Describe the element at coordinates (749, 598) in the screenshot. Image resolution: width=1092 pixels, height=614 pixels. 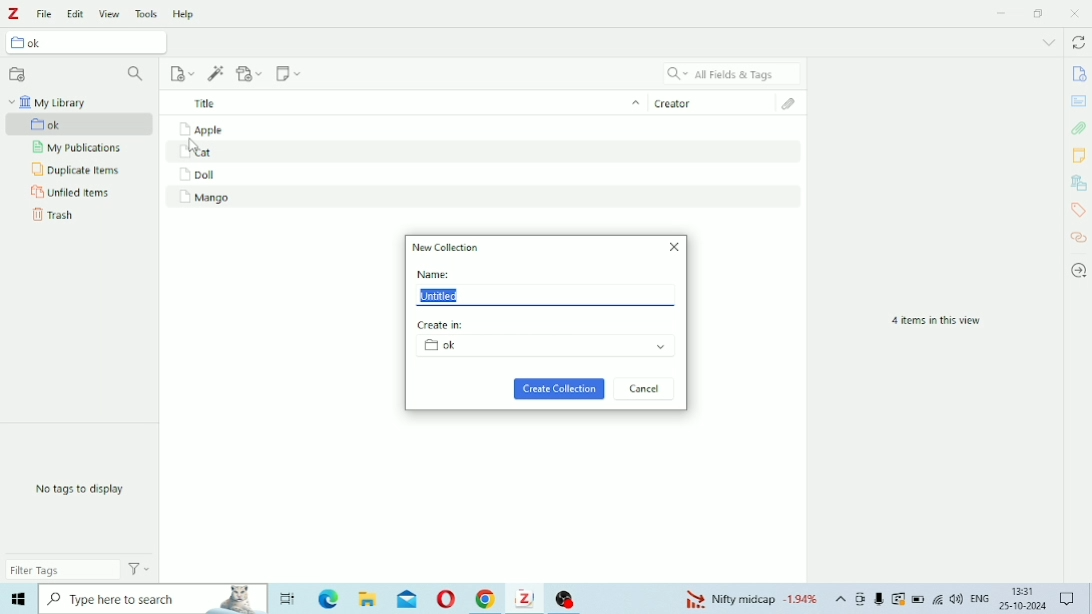
I see `Nifty midcap -1.94%` at that location.